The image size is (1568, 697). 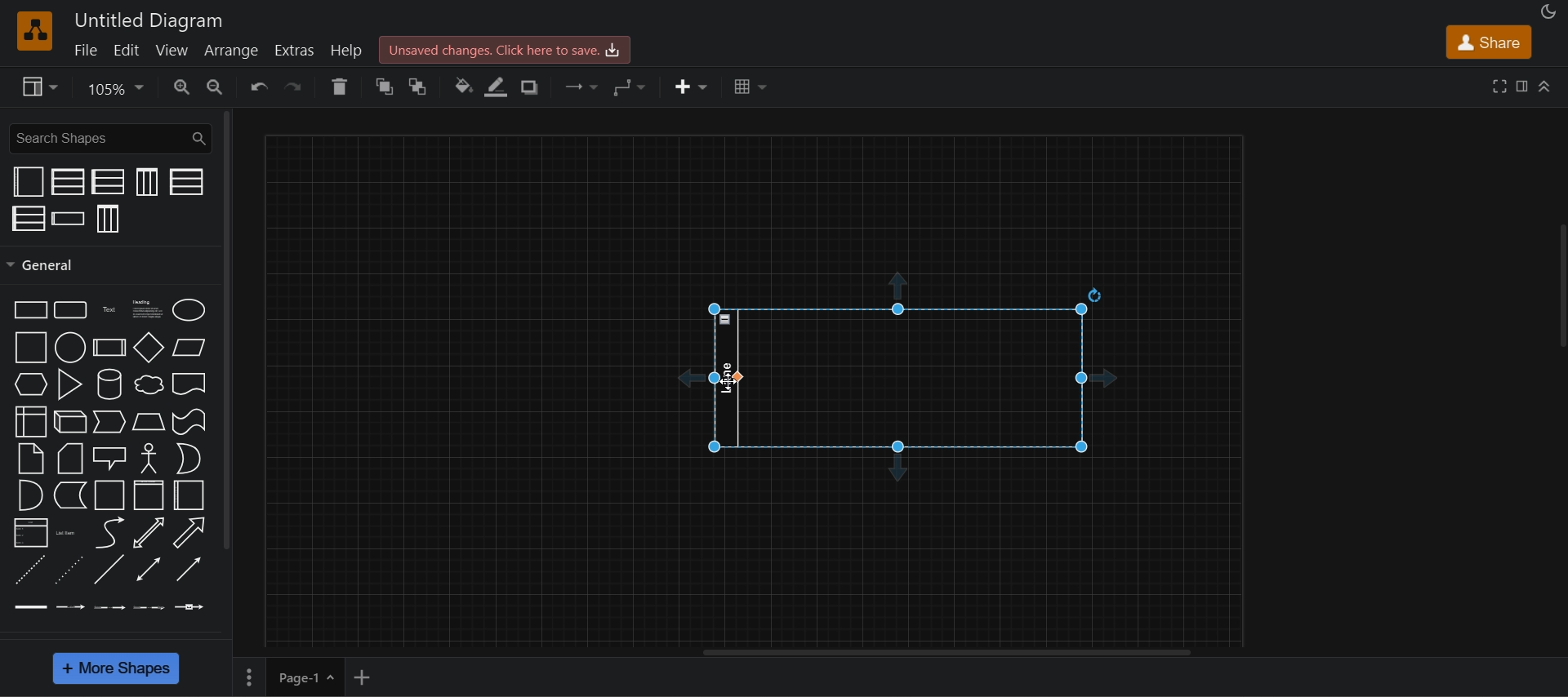 I want to click on actor, so click(x=148, y=458).